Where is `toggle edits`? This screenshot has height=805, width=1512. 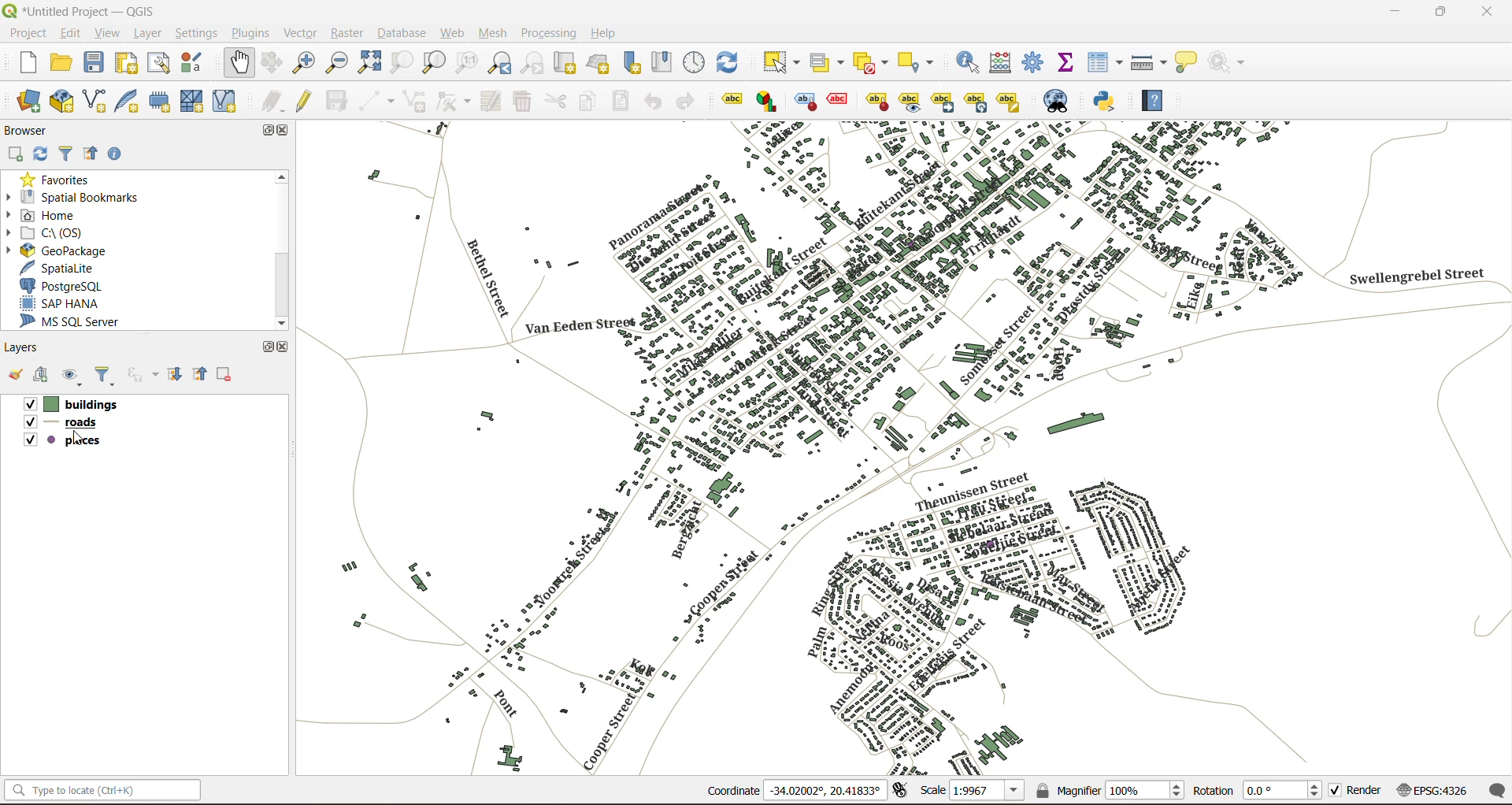
toggle edits is located at coordinates (307, 102).